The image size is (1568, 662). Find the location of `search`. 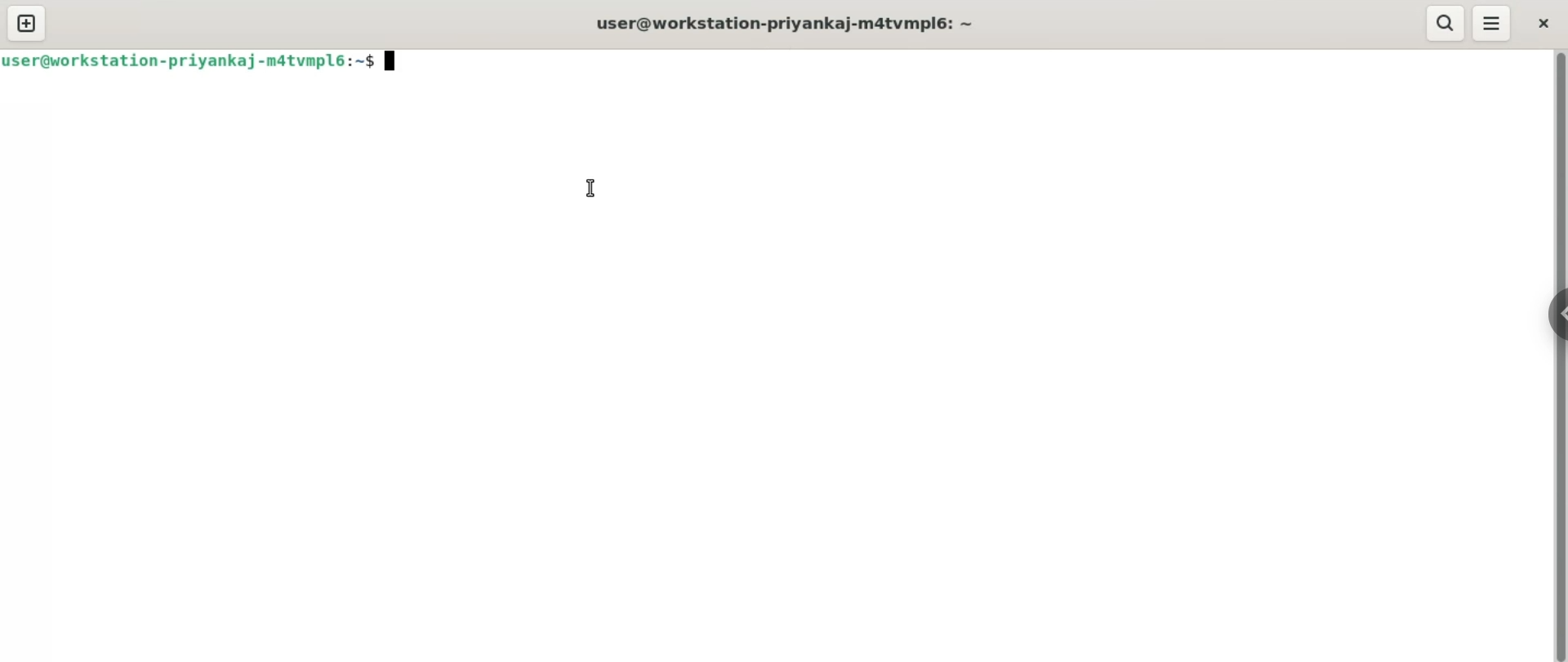

search is located at coordinates (1444, 22).